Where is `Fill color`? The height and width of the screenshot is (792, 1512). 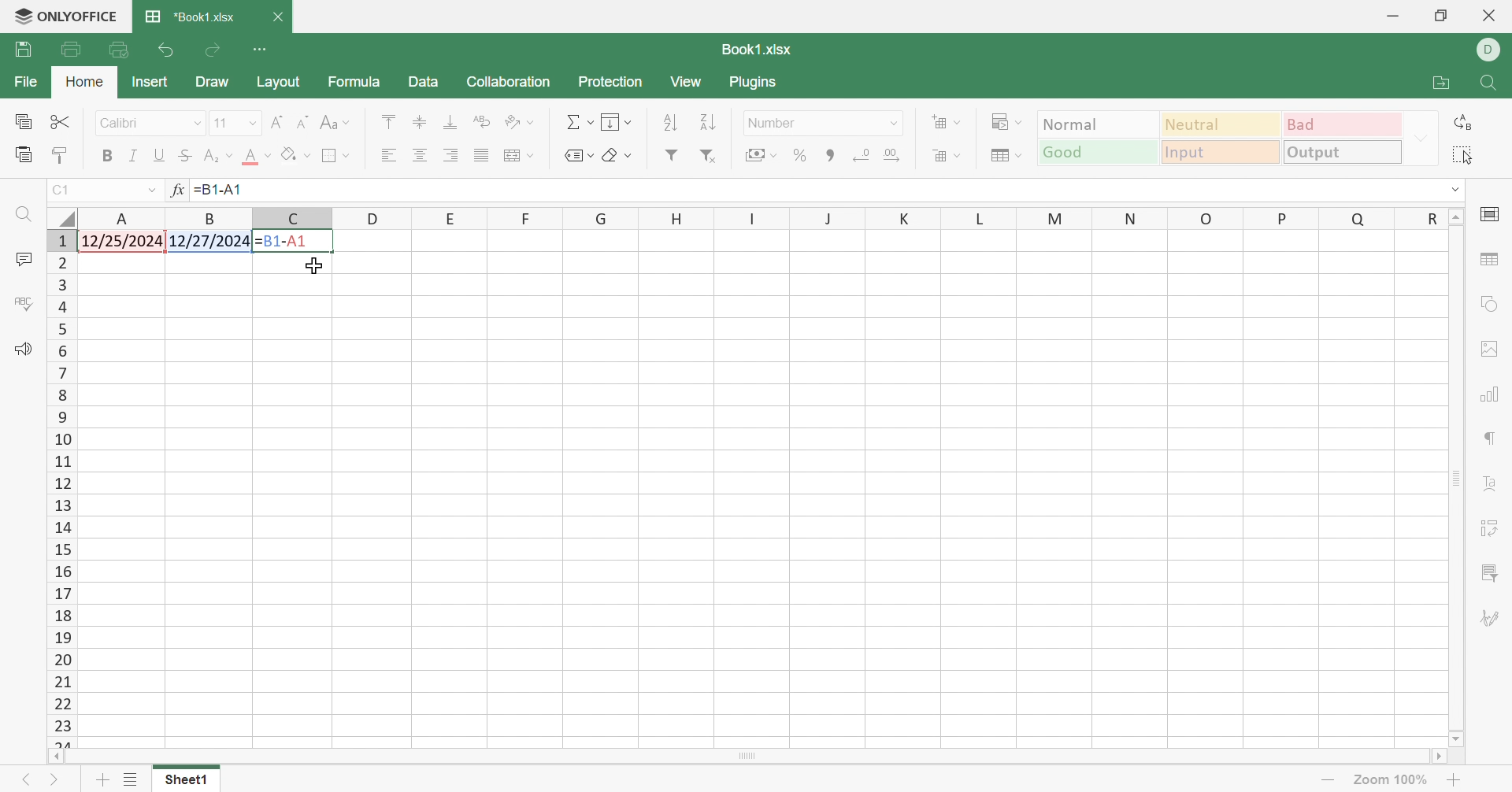 Fill color is located at coordinates (258, 157).